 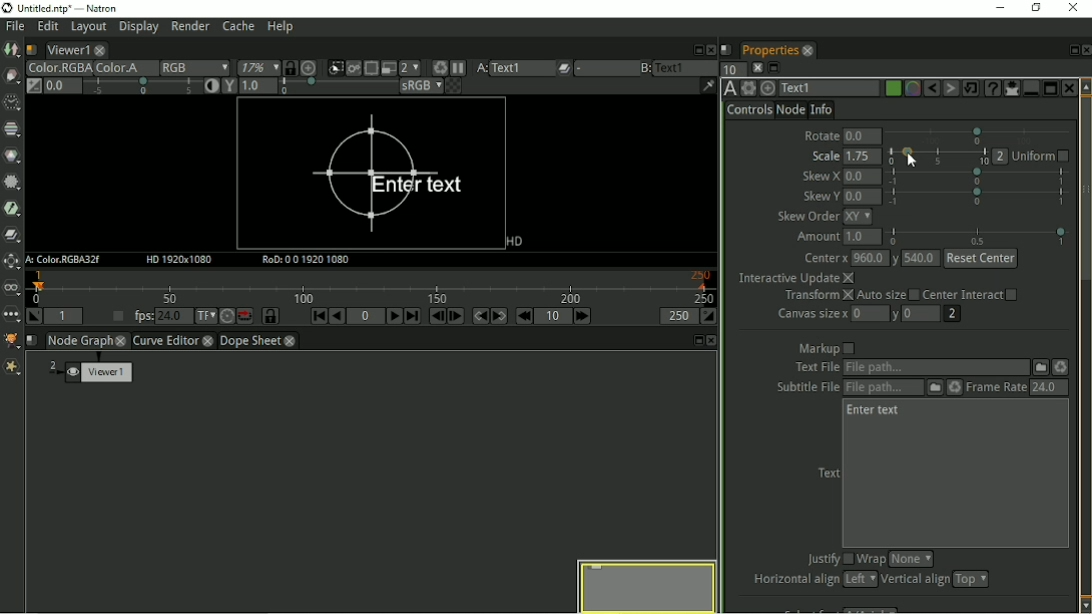 I want to click on Frame rate, so click(x=1018, y=386).